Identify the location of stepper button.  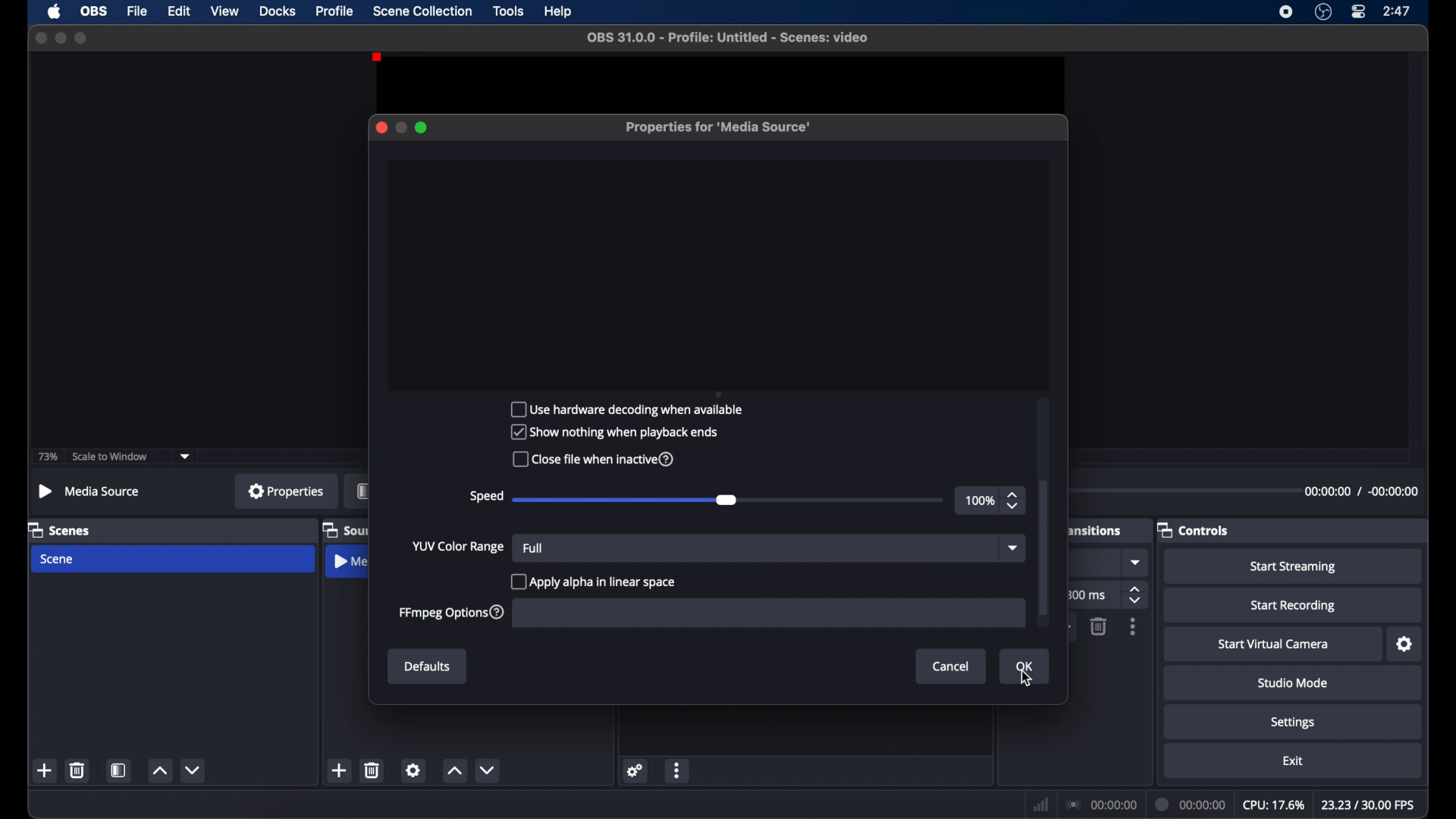
(1015, 500).